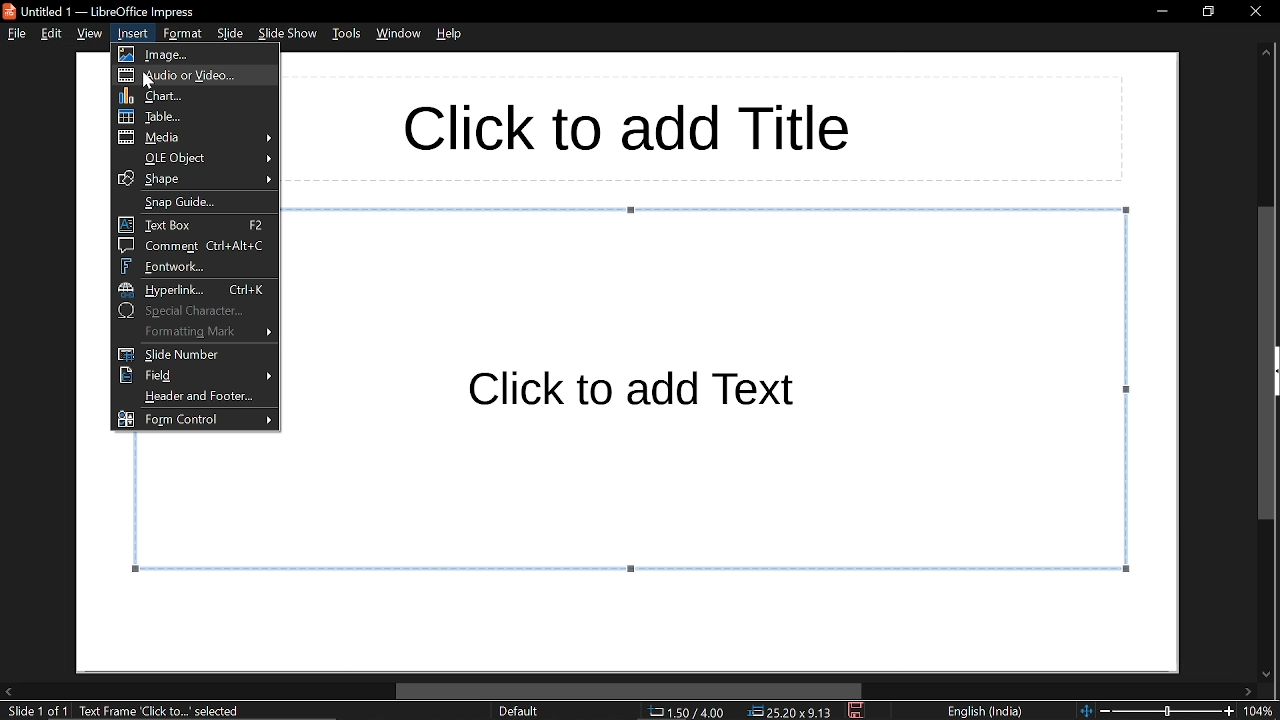 The width and height of the screenshot is (1280, 720). I want to click on text box, so click(194, 224).